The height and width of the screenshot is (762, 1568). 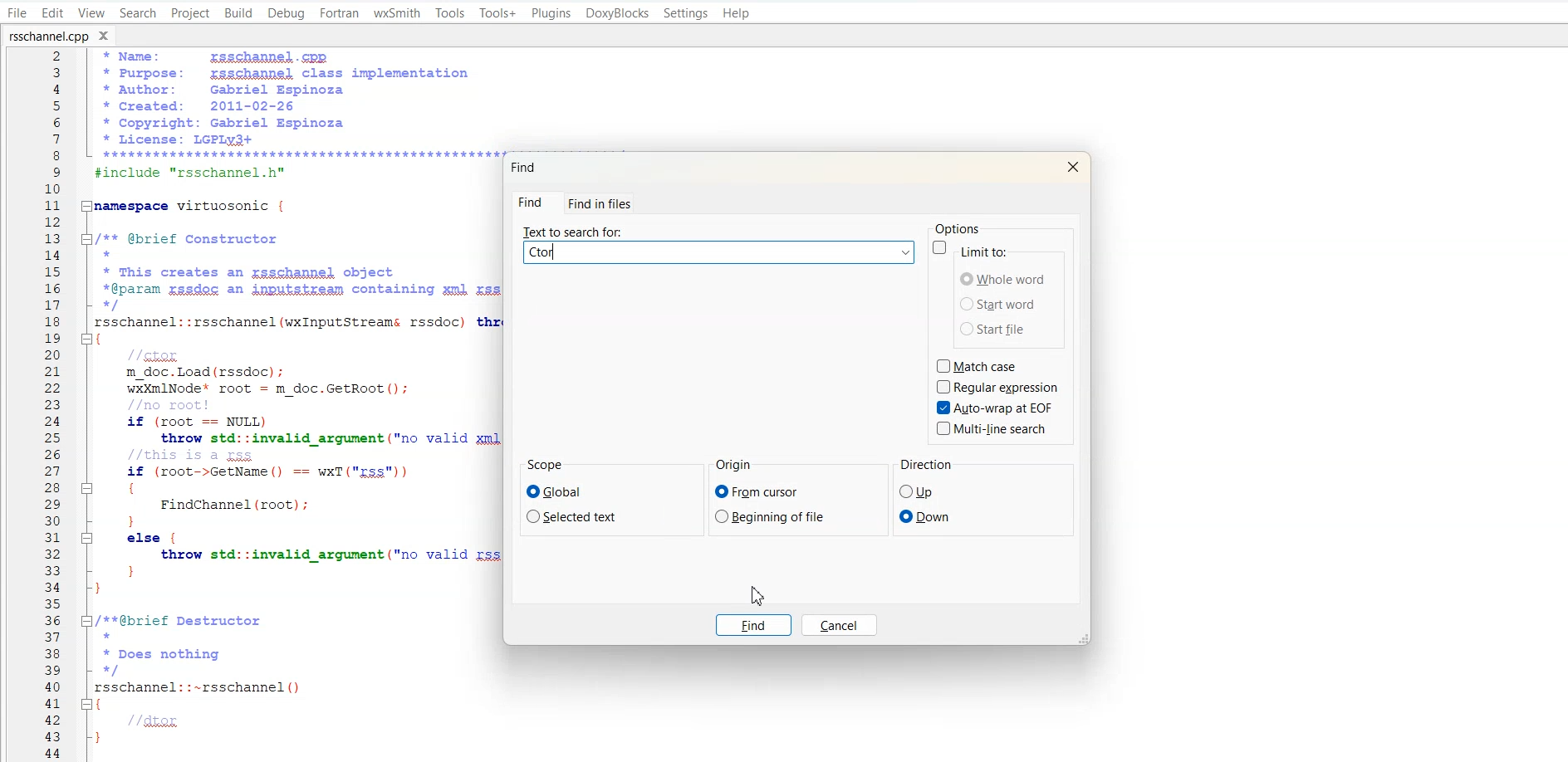 I want to click on File, so click(x=17, y=12).